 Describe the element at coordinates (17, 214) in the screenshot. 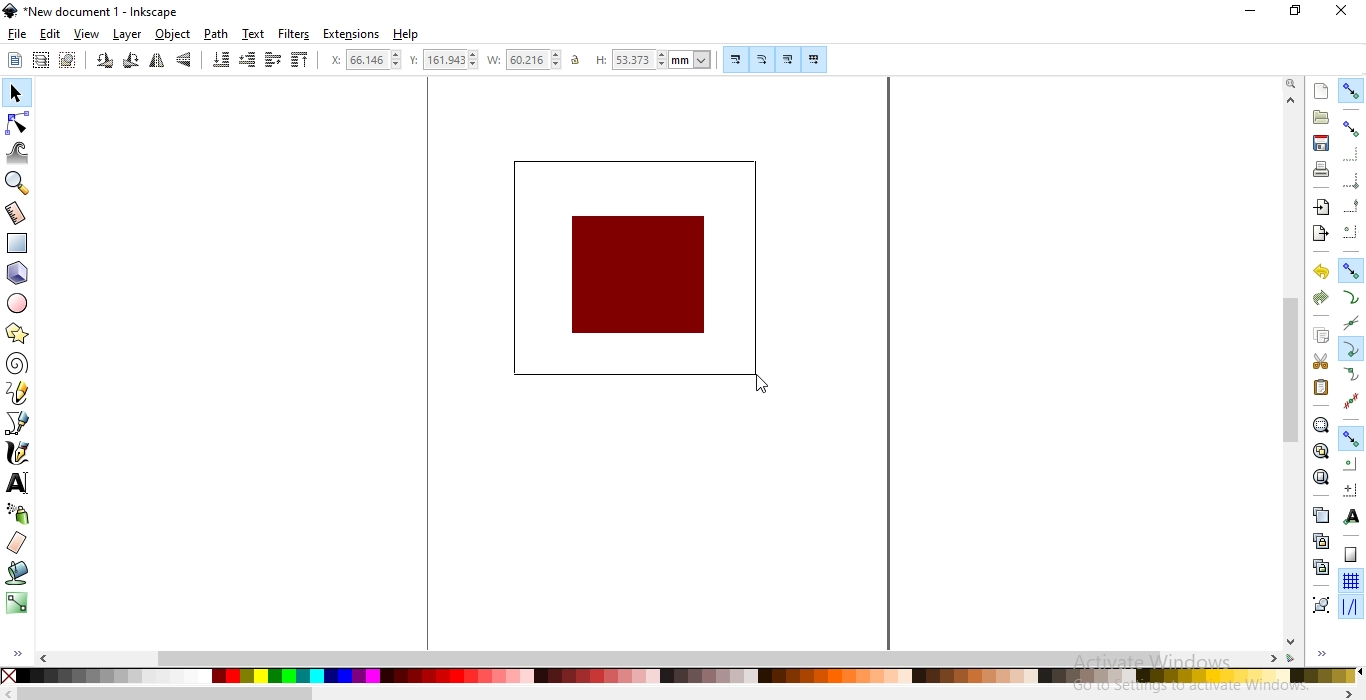

I see `measurement tool` at that location.